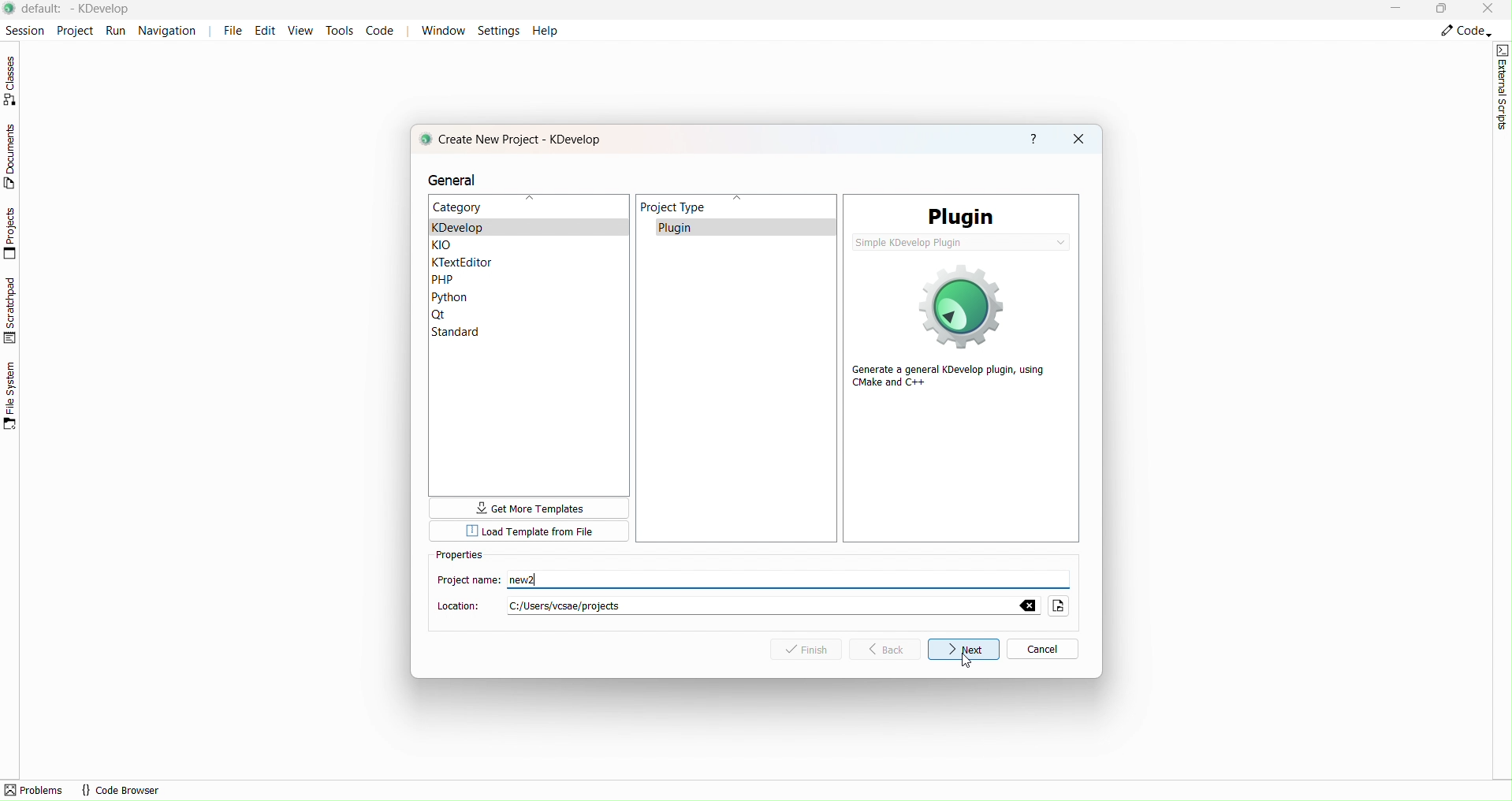  What do you see at coordinates (442, 30) in the screenshot?
I see `Window` at bounding box center [442, 30].